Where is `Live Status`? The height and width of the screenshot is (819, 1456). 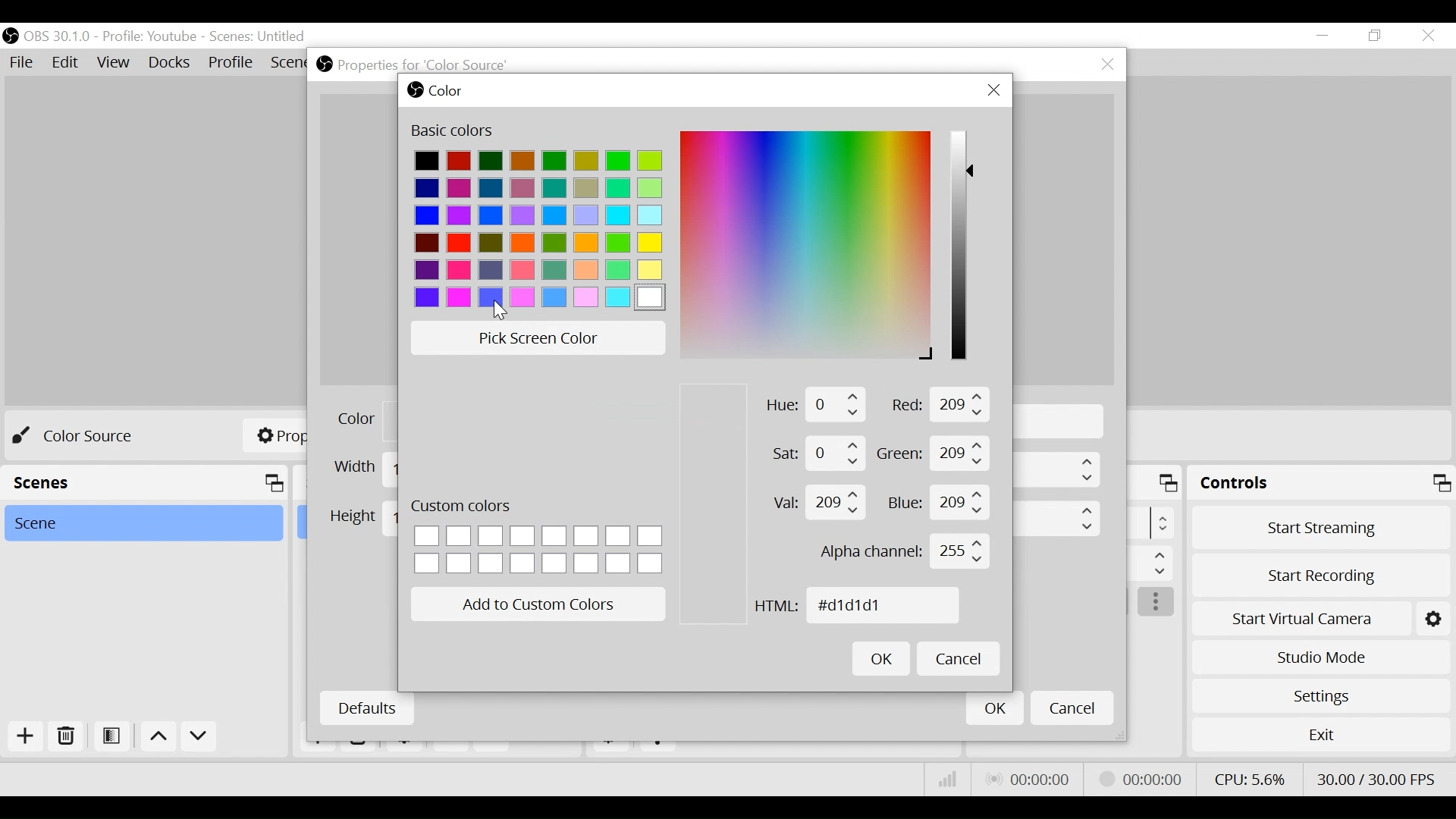 Live Status is located at coordinates (1030, 777).